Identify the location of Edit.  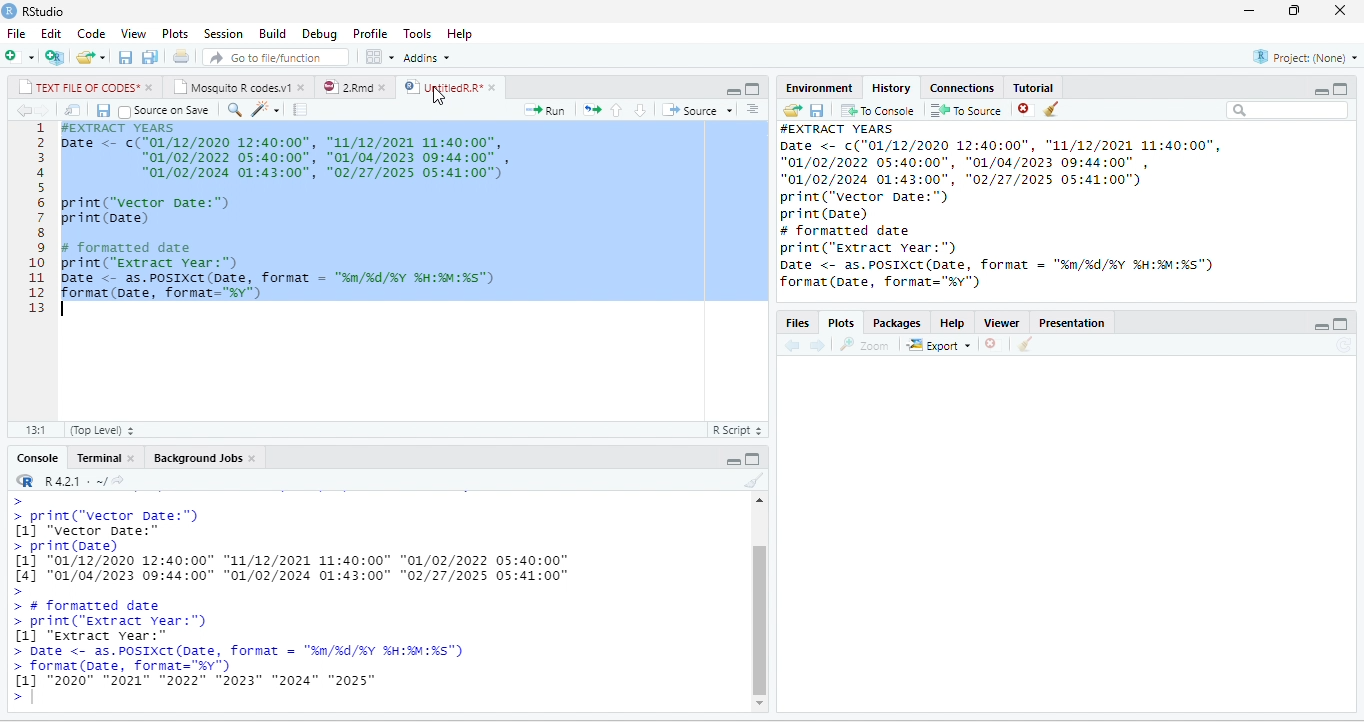
(51, 34).